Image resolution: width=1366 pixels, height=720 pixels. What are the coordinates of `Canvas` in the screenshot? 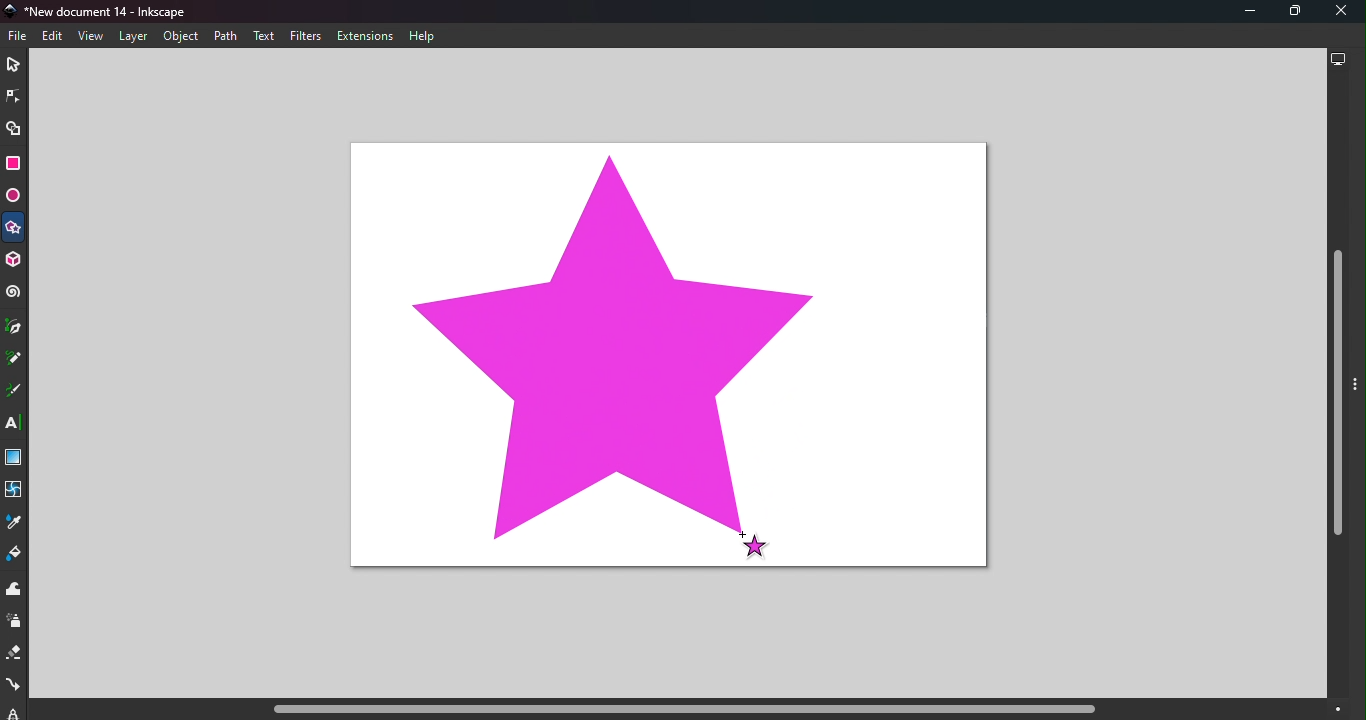 It's located at (672, 355).